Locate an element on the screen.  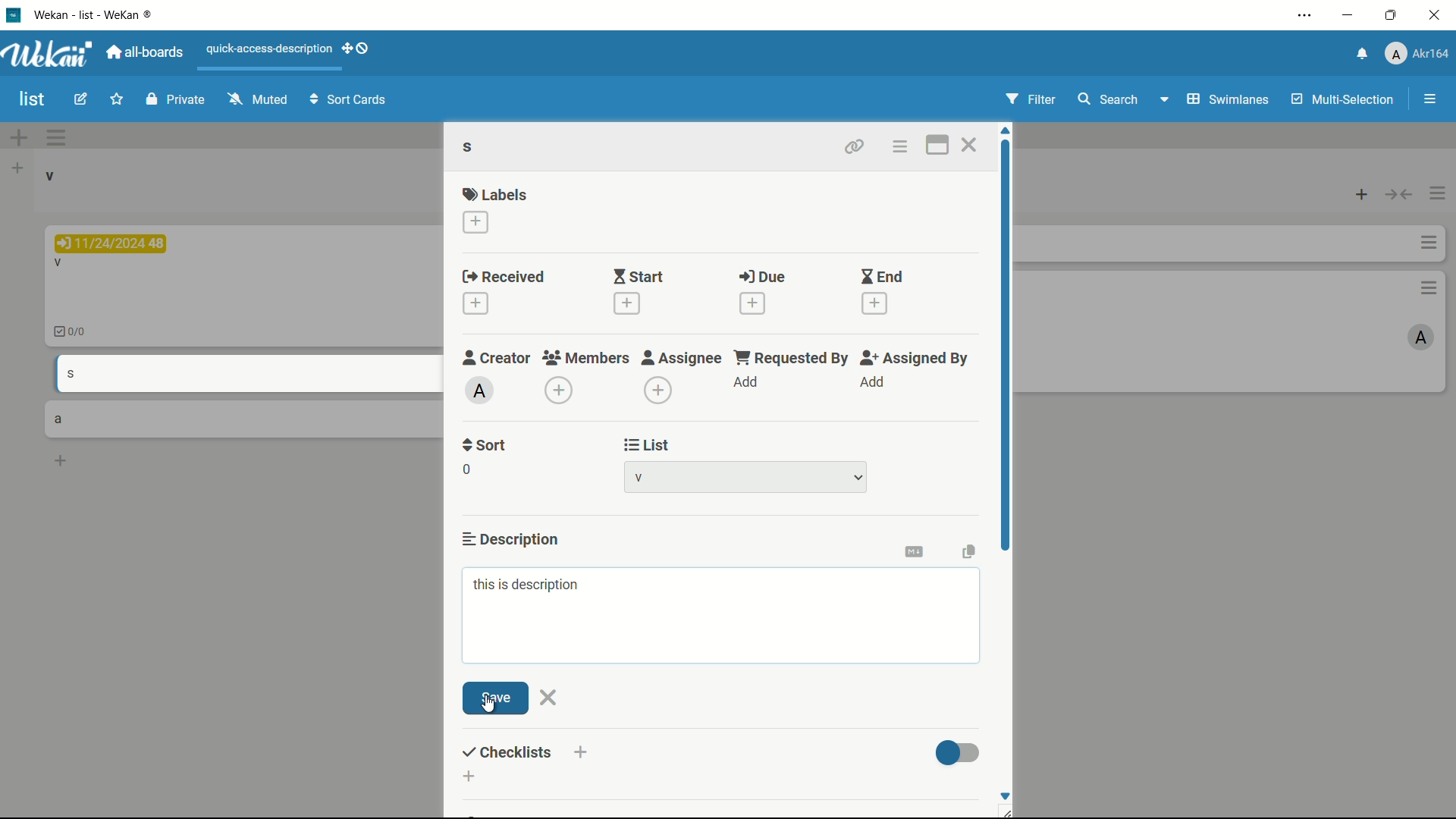
copy text to clipboard is located at coordinates (970, 552).